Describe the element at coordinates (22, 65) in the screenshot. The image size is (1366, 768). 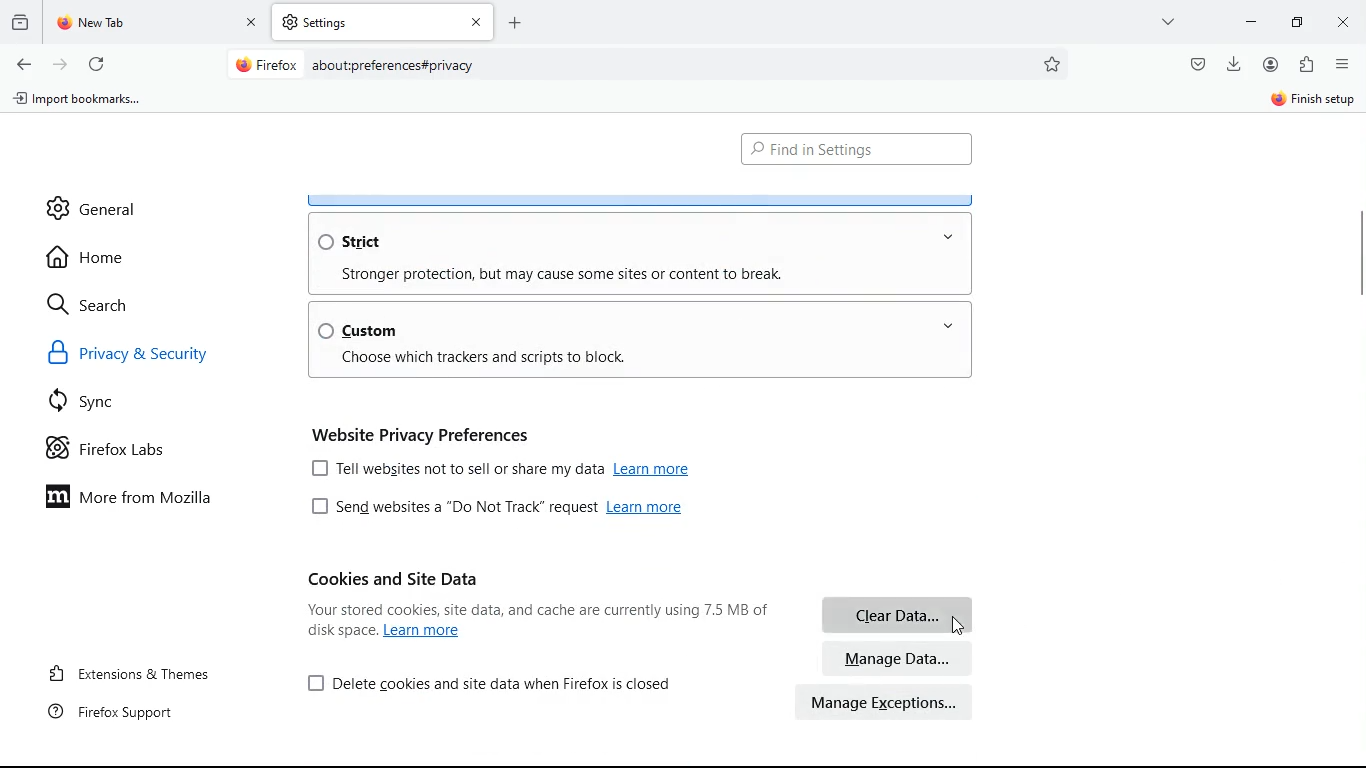
I see `back` at that location.